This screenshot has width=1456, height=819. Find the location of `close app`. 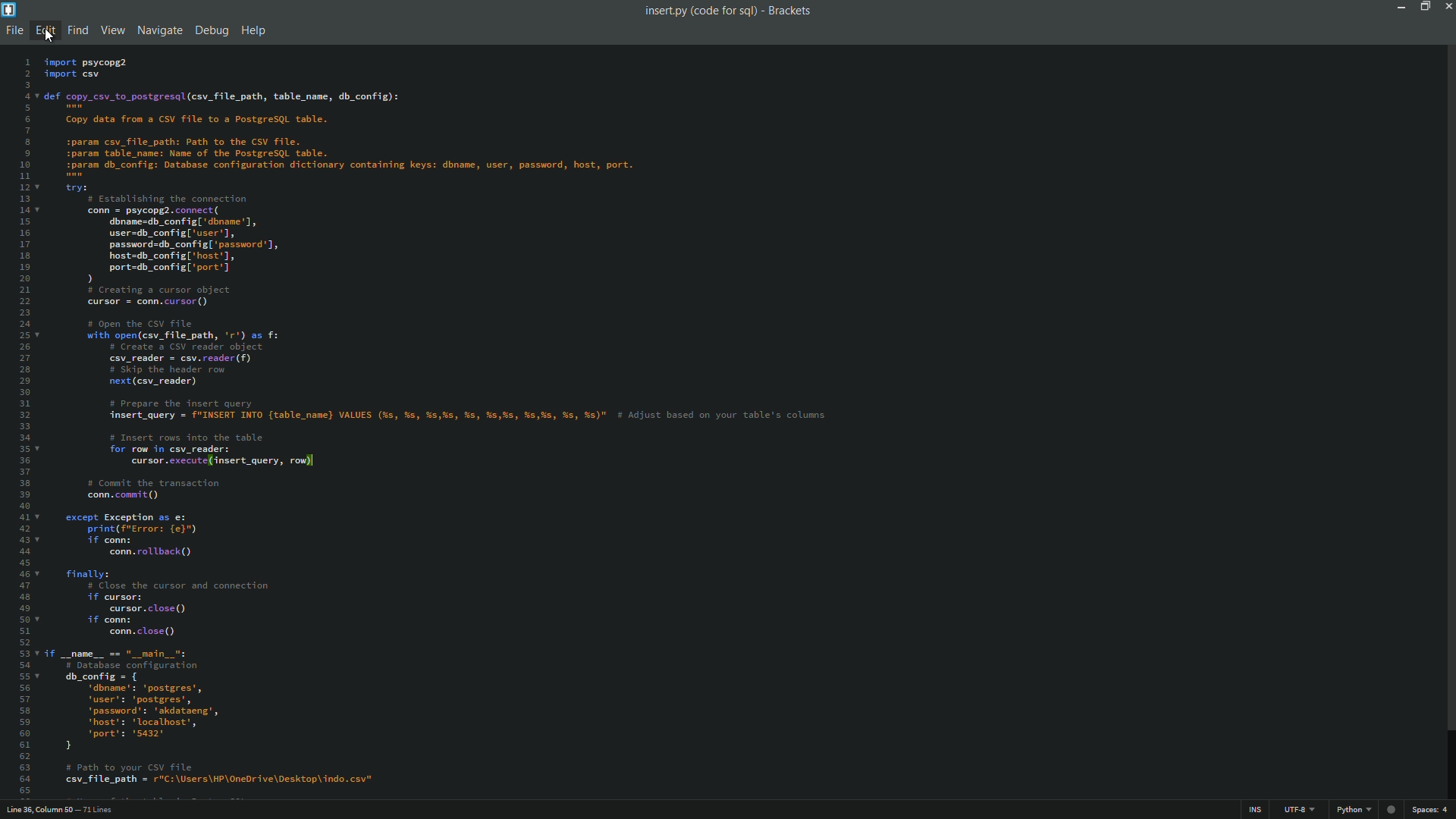

close app is located at coordinates (1447, 6).